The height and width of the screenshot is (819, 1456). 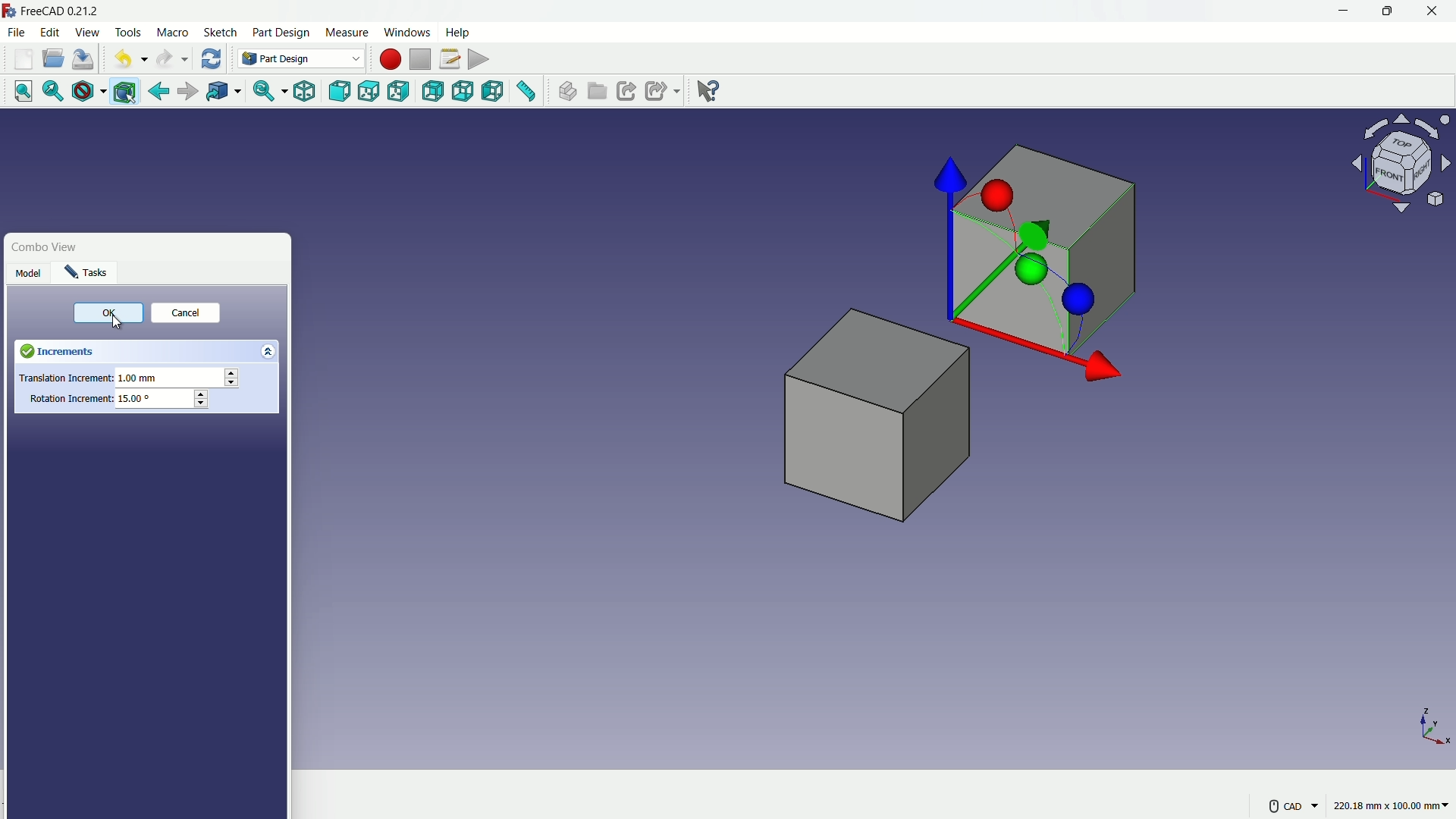 I want to click on back view, so click(x=435, y=93).